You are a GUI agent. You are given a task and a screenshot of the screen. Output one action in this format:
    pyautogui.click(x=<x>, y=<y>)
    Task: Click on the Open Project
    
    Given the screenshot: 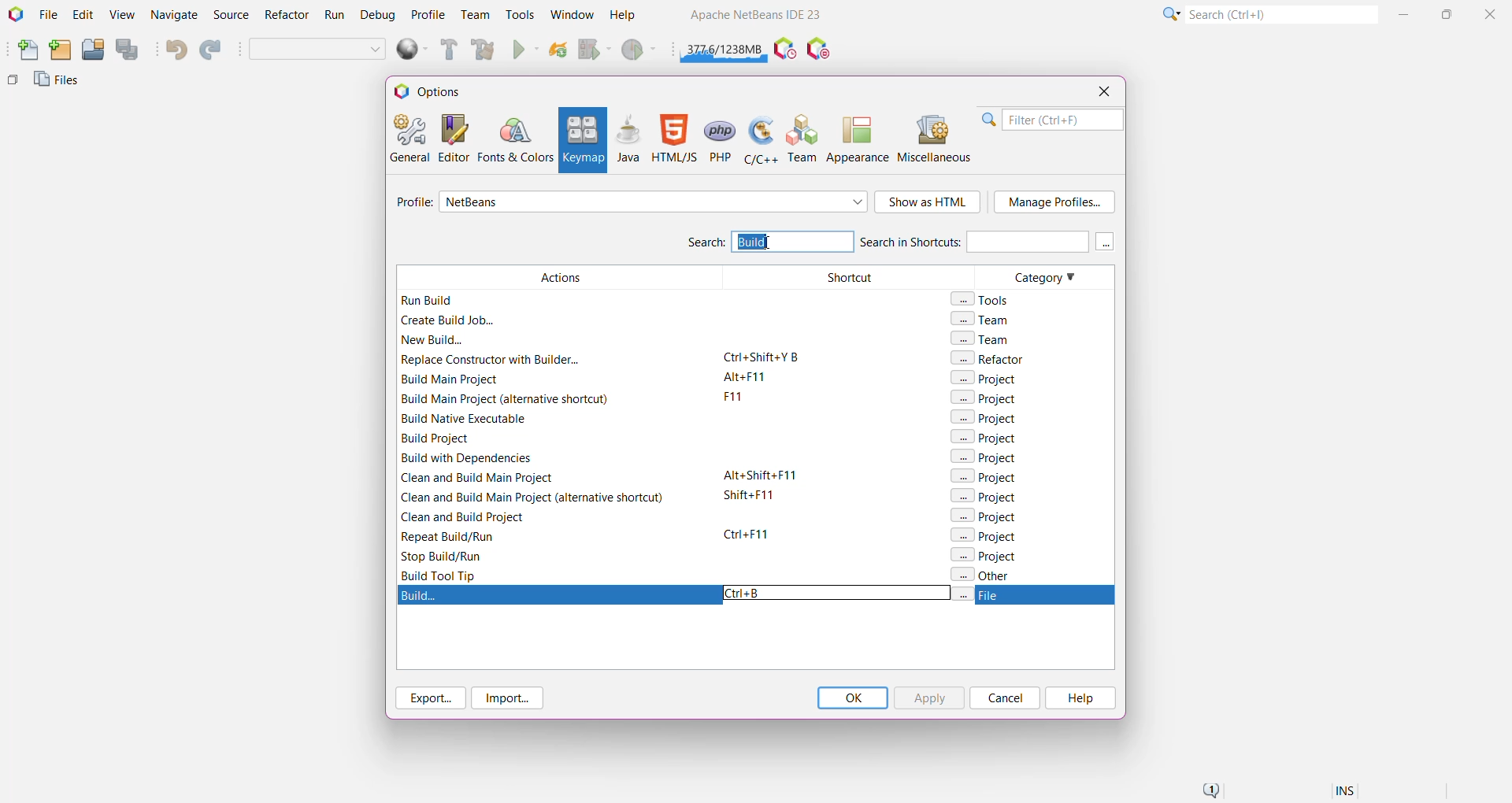 What is the action you would take?
    pyautogui.click(x=92, y=50)
    